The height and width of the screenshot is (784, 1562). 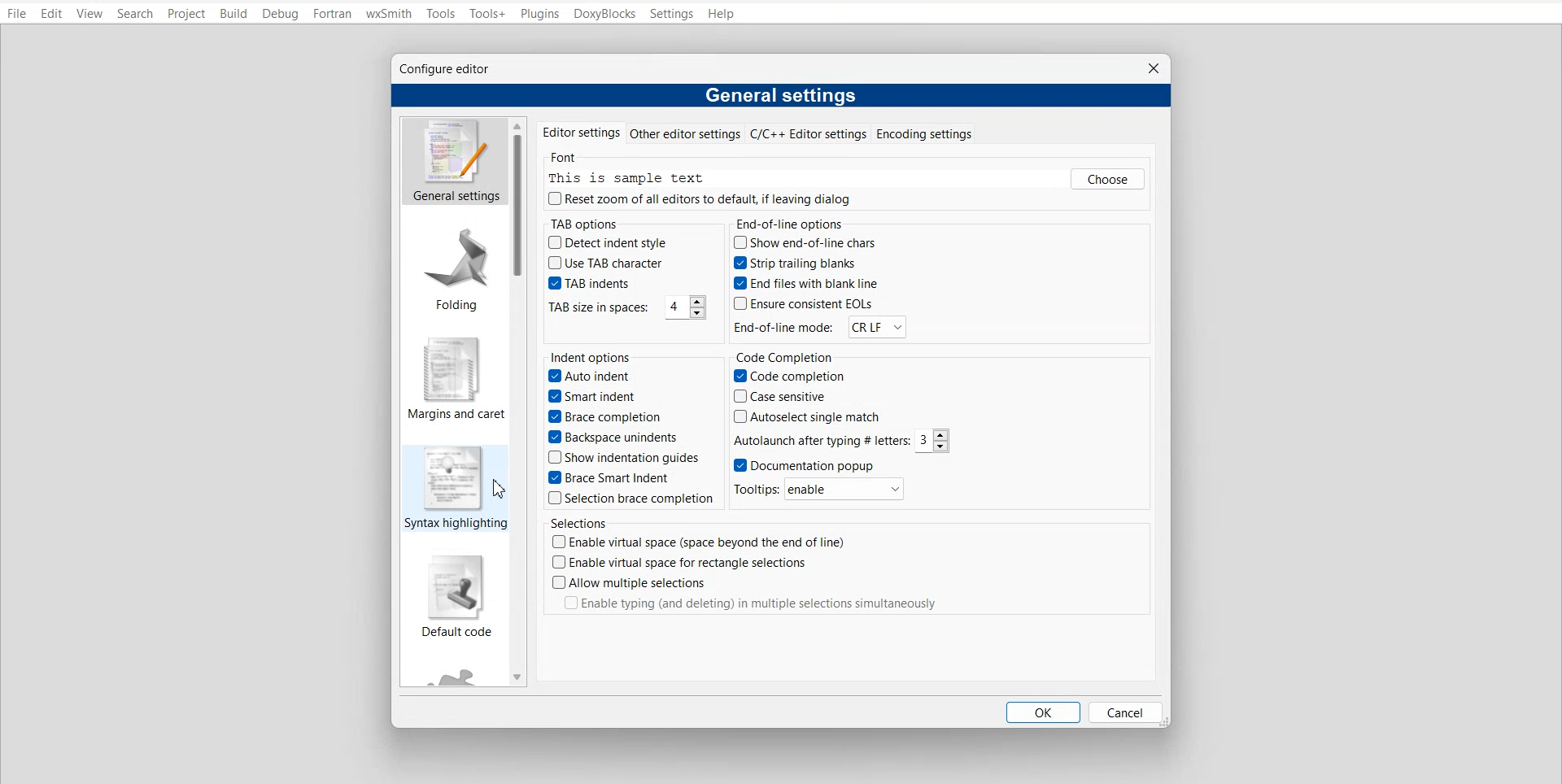 What do you see at coordinates (679, 562) in the screenshot?
I see `Enable virtual space for rectangle selection` at bounding box center [679, 562].